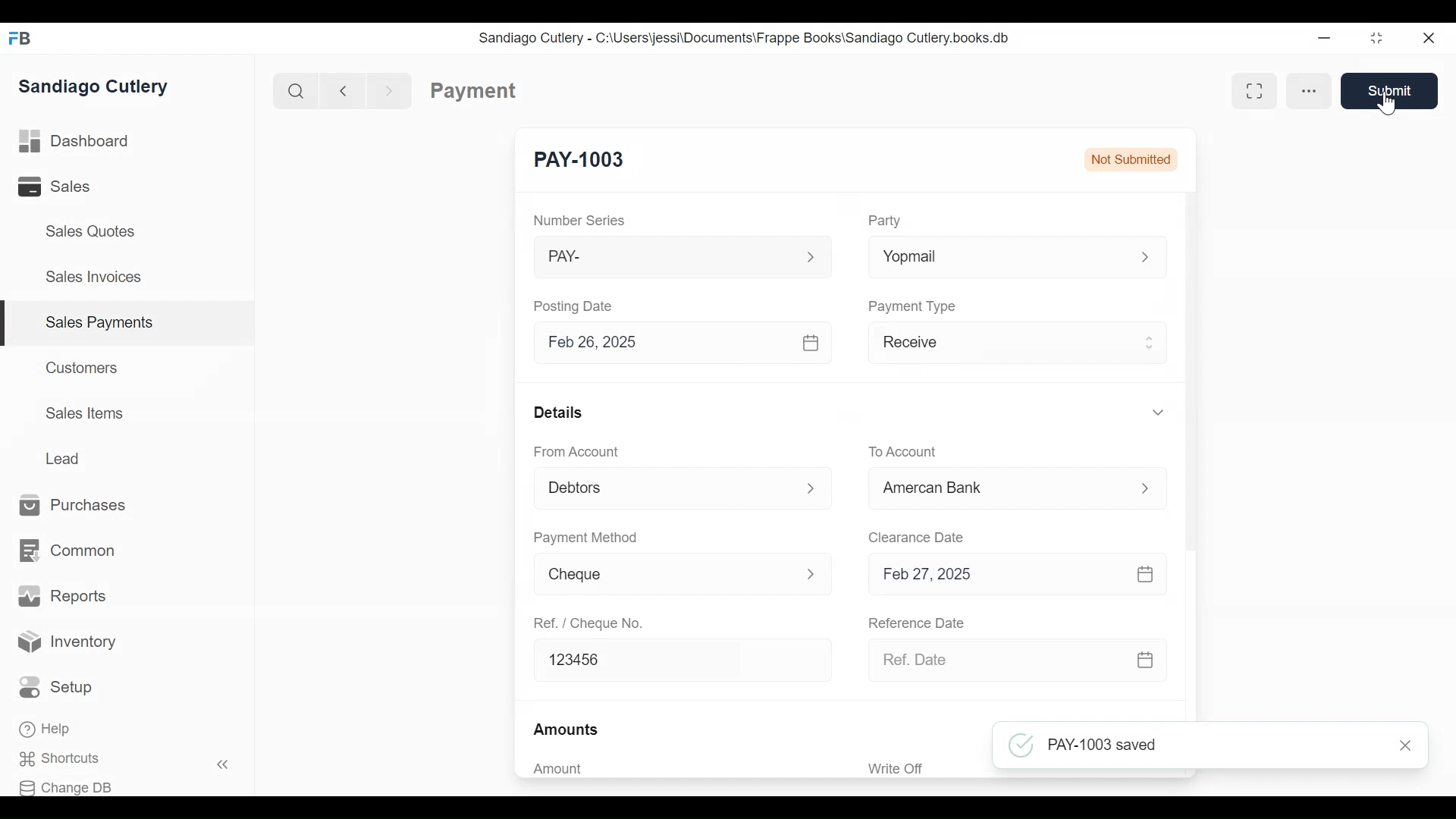 This screenshot has height=819, width=1456. Describe the element at coordinates (886, 220) in the screenshot. I see `Party` at that location.